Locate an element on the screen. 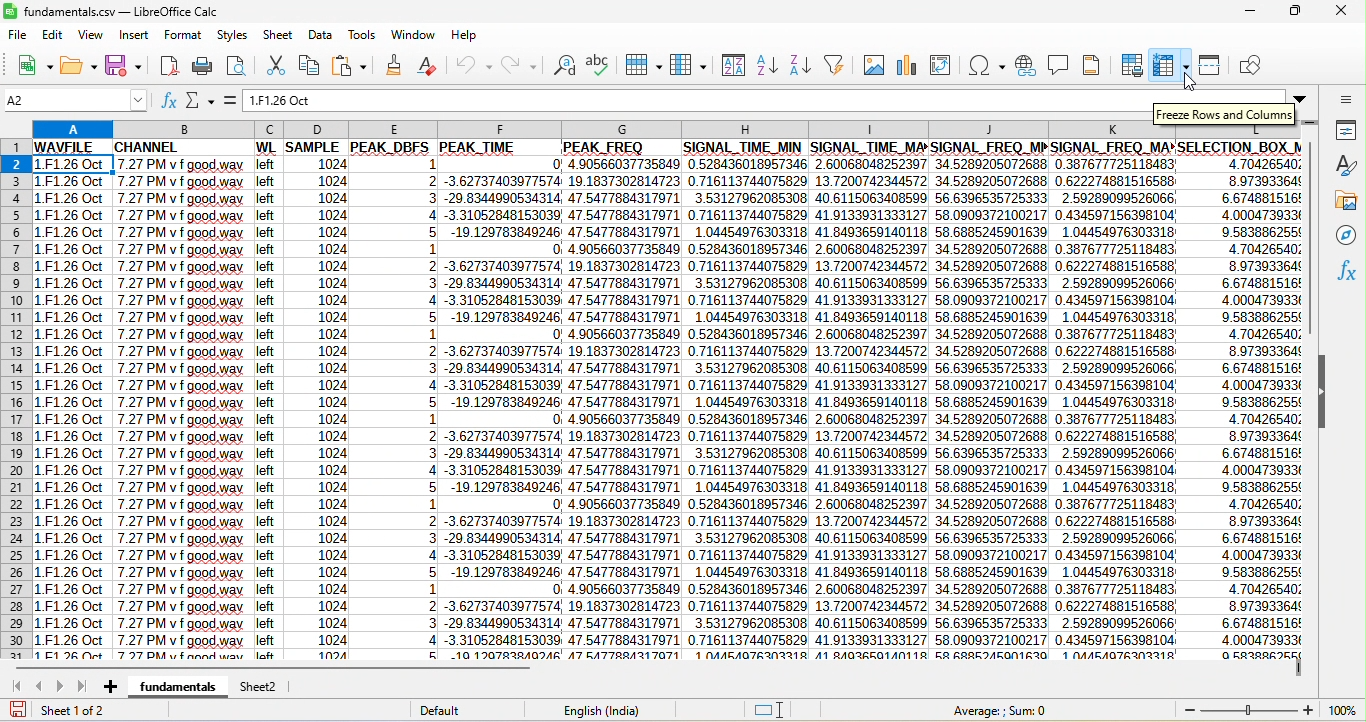  select function is located at coordinates (205, 101).